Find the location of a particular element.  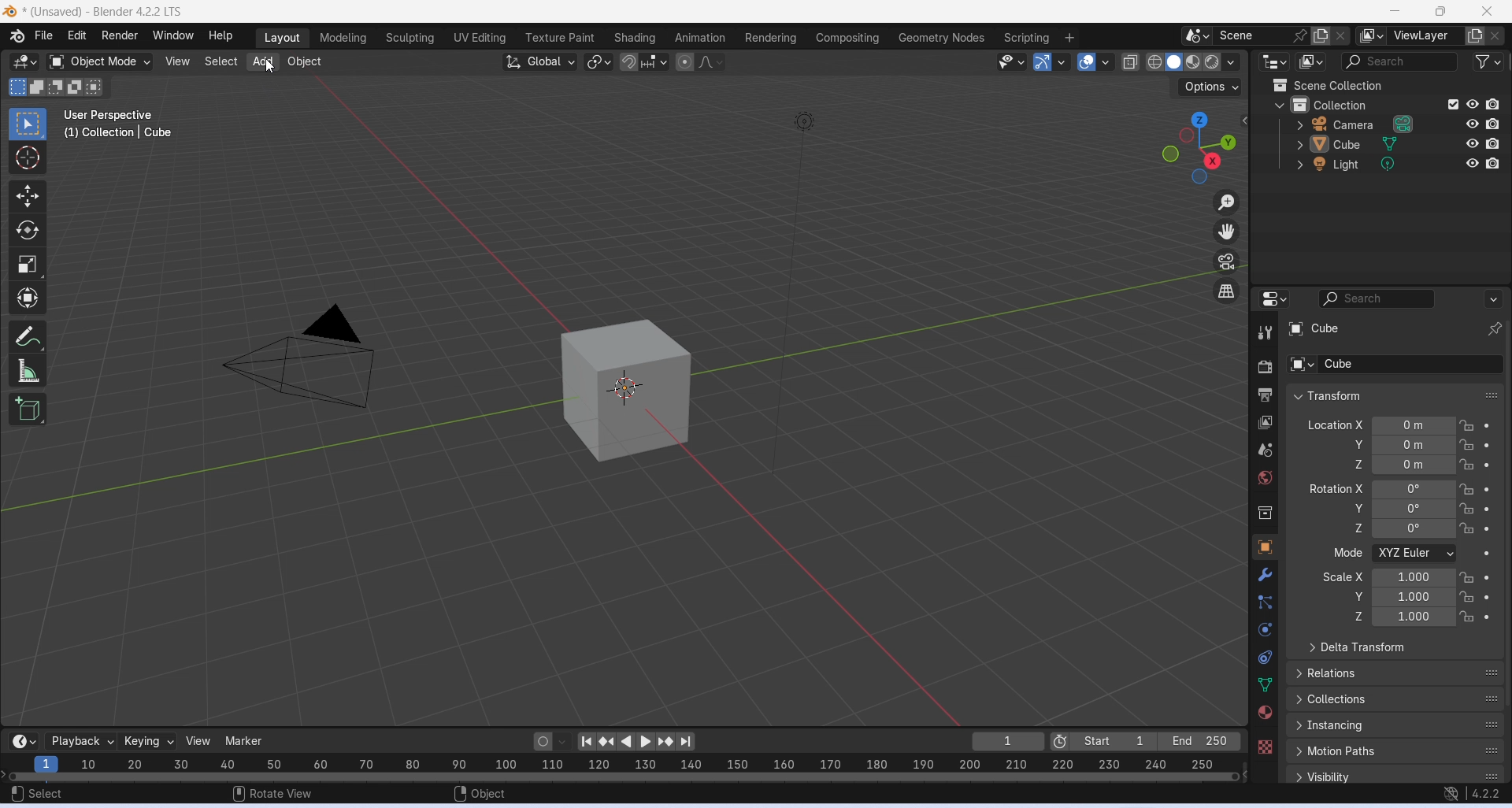

playback is located at coordinates (80, 741).